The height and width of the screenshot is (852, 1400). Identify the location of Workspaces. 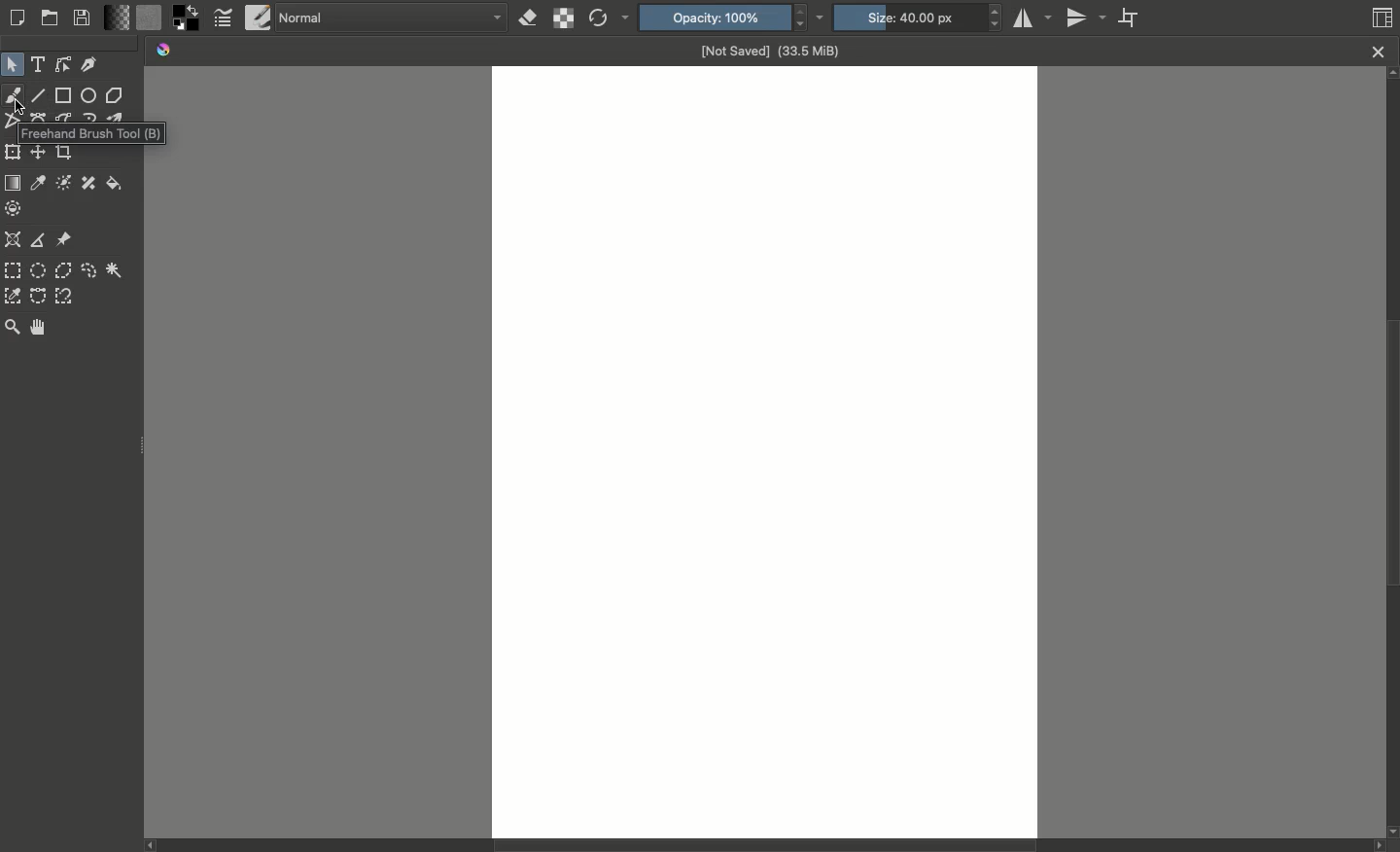
(1382, 16).